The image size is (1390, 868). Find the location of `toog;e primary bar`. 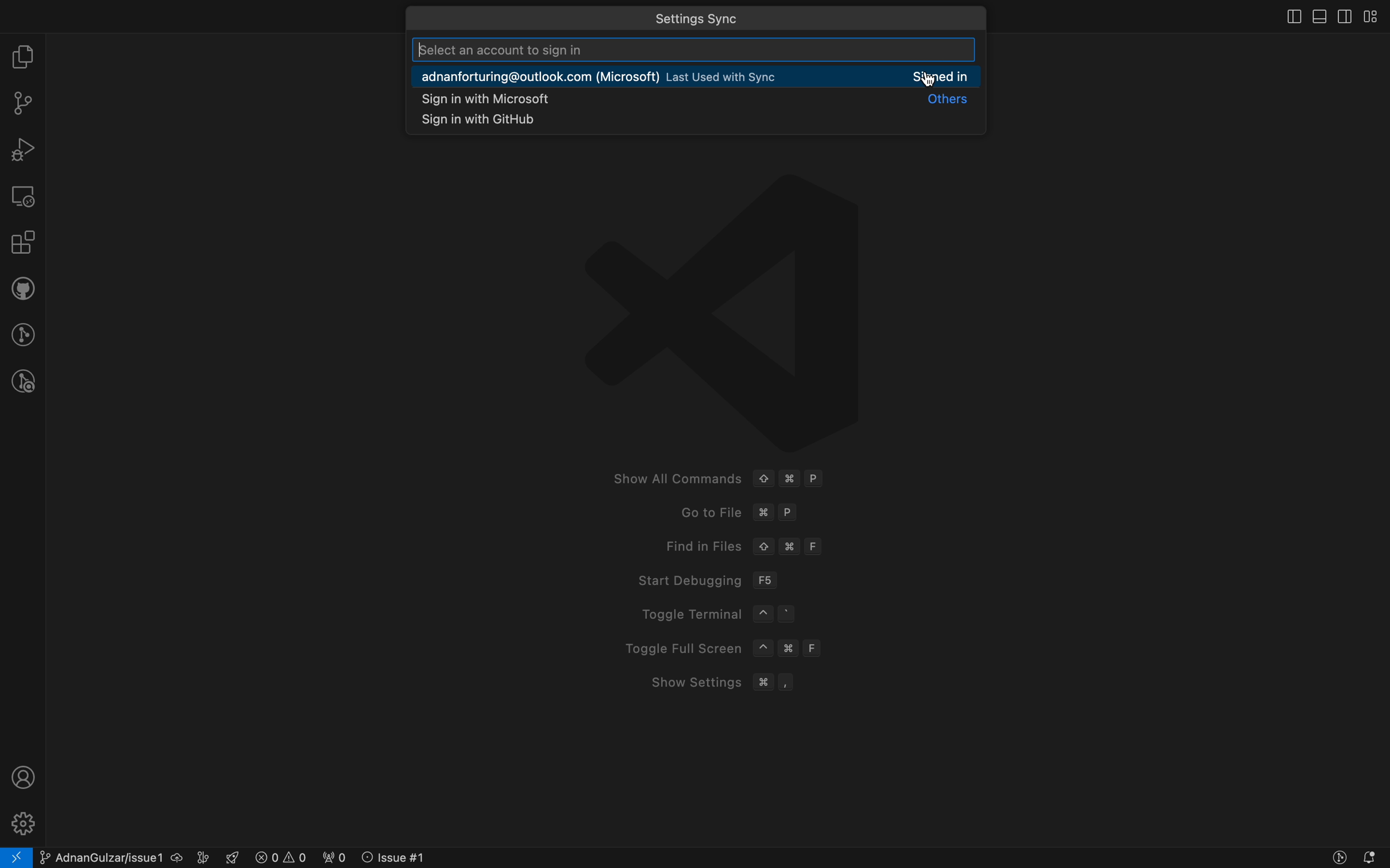

toog;e primary bar is located at coordinates (1317, 17).